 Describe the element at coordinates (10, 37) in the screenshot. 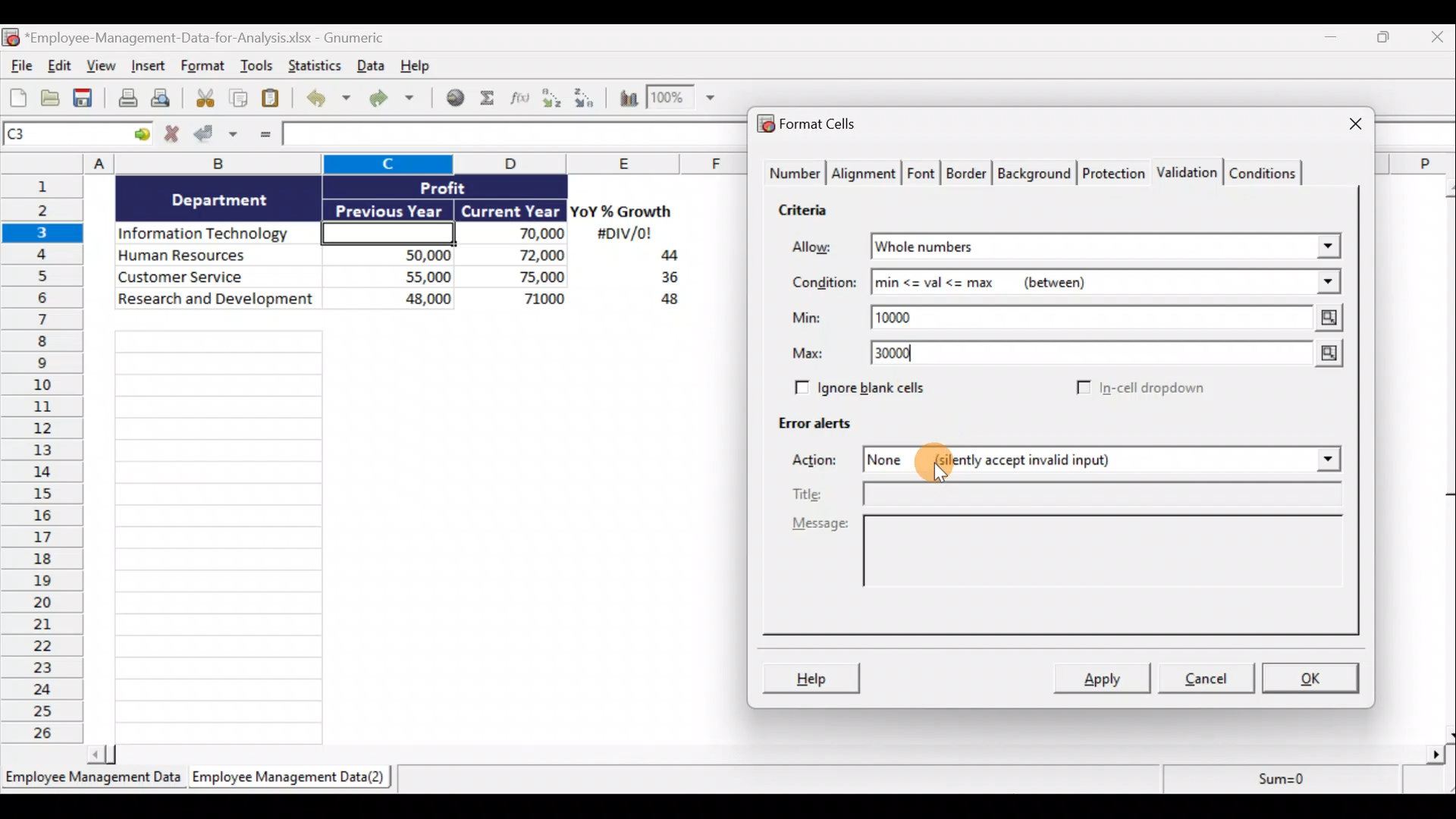

I see `Gnumeric logo` at that location.